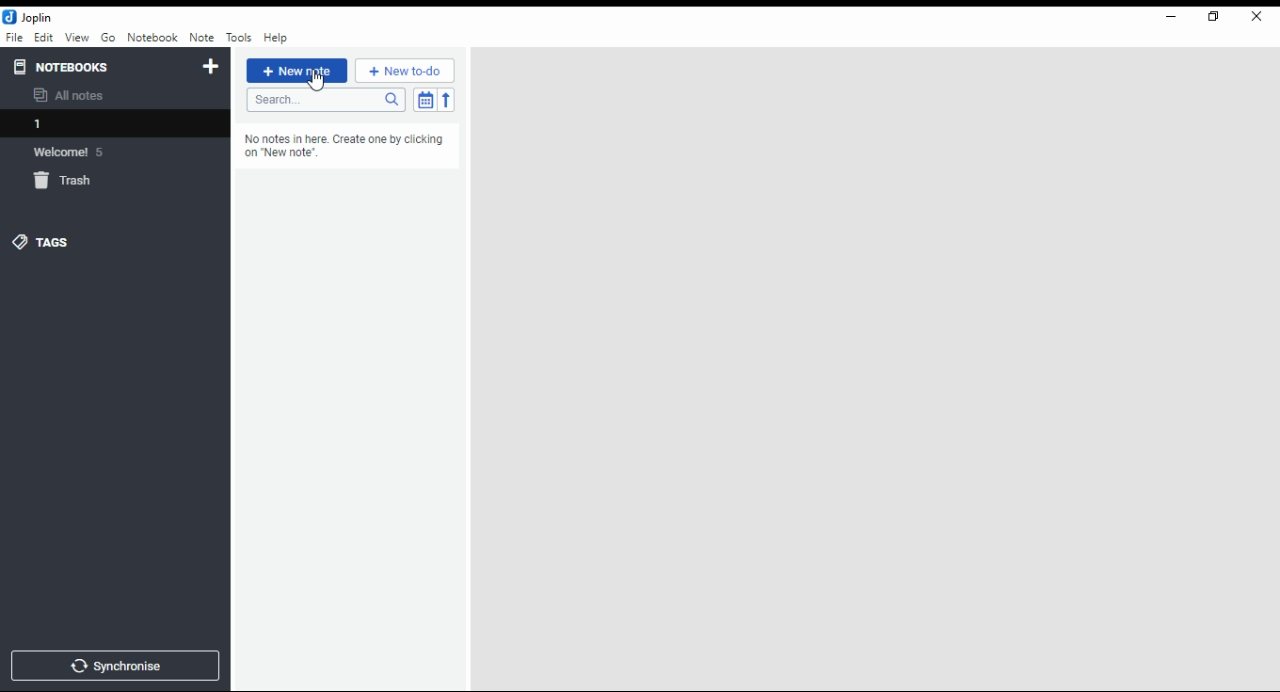  I want to click on help, so click(276, 38).